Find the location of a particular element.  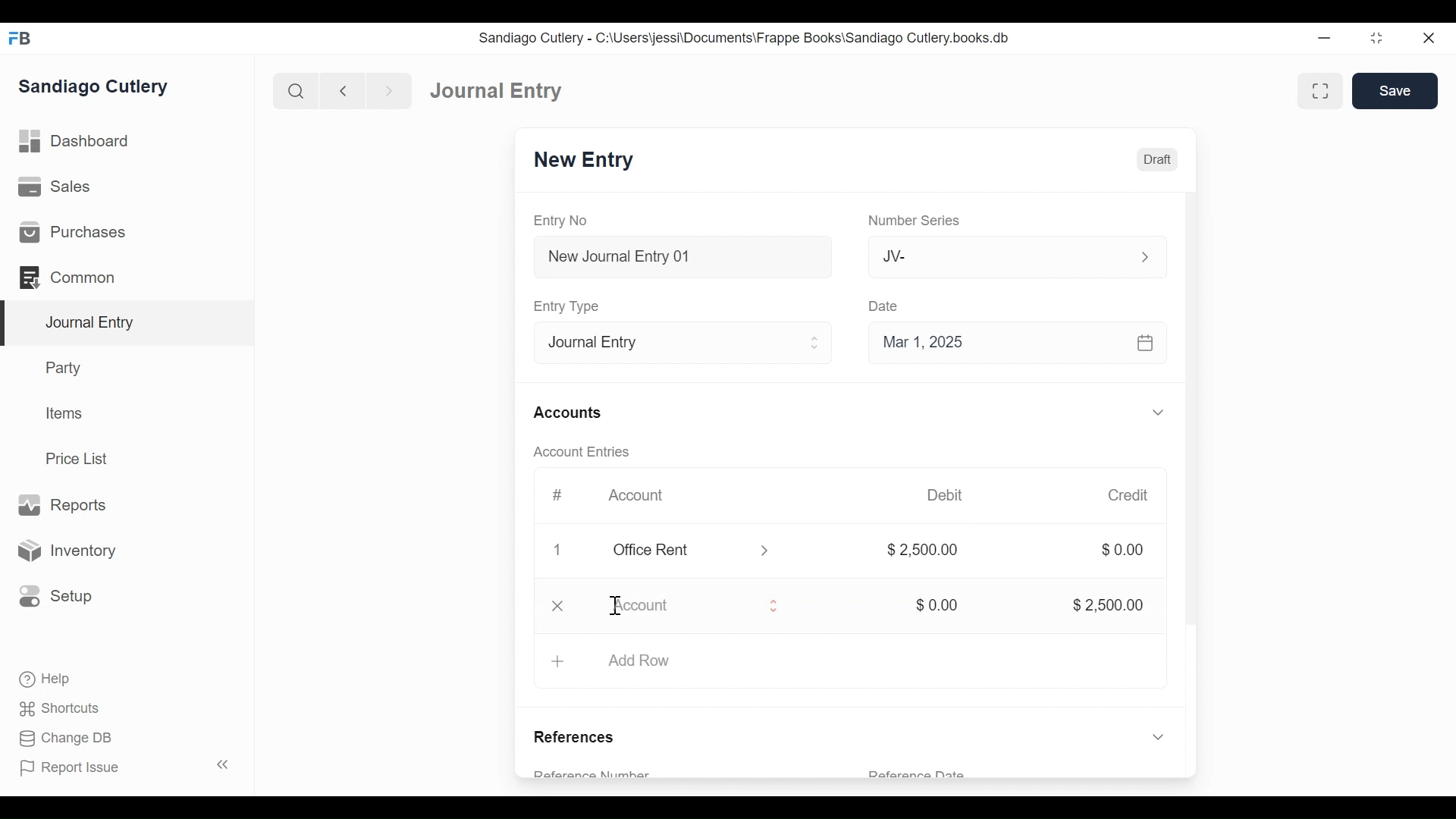

Mar 1, 2025 is located at coordinates (1018, 341).